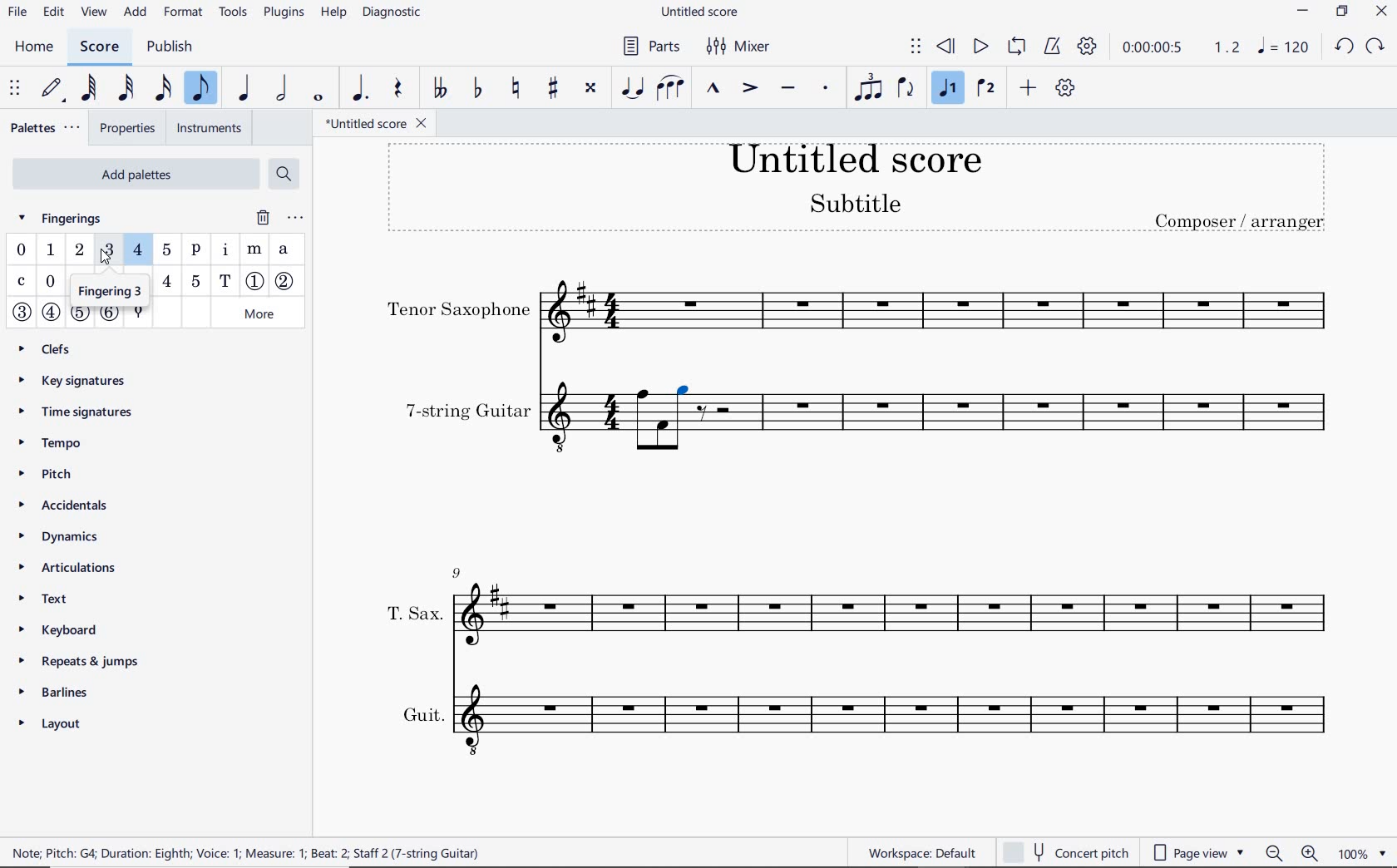 The height and width of the screenshot is (868, 1397). Describe the element at coordinates (98, 47) in the screenshot. I see `SCORE` at that location.